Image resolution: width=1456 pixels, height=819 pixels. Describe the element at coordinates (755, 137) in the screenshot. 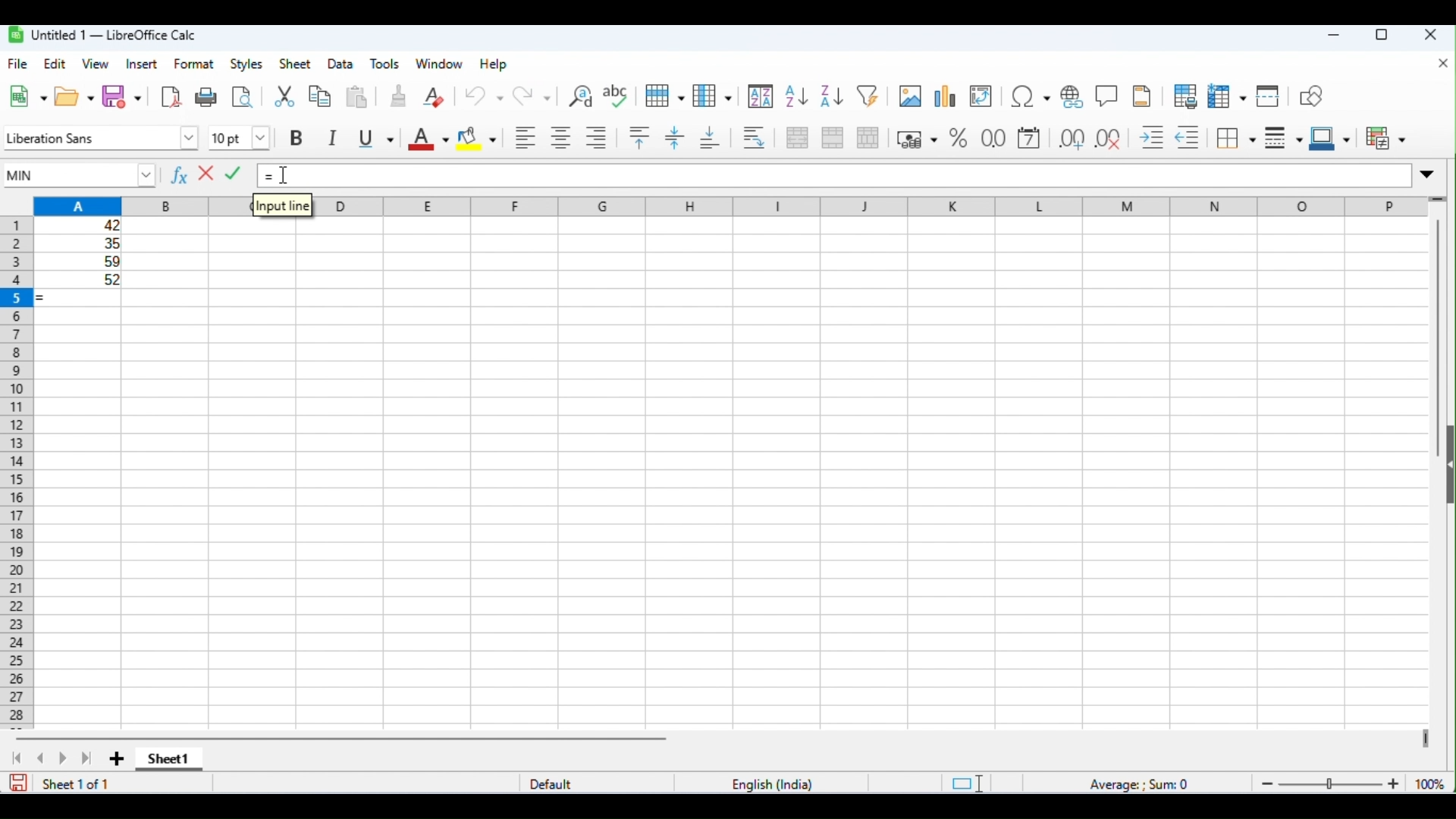

I see `wrap text` at that location.